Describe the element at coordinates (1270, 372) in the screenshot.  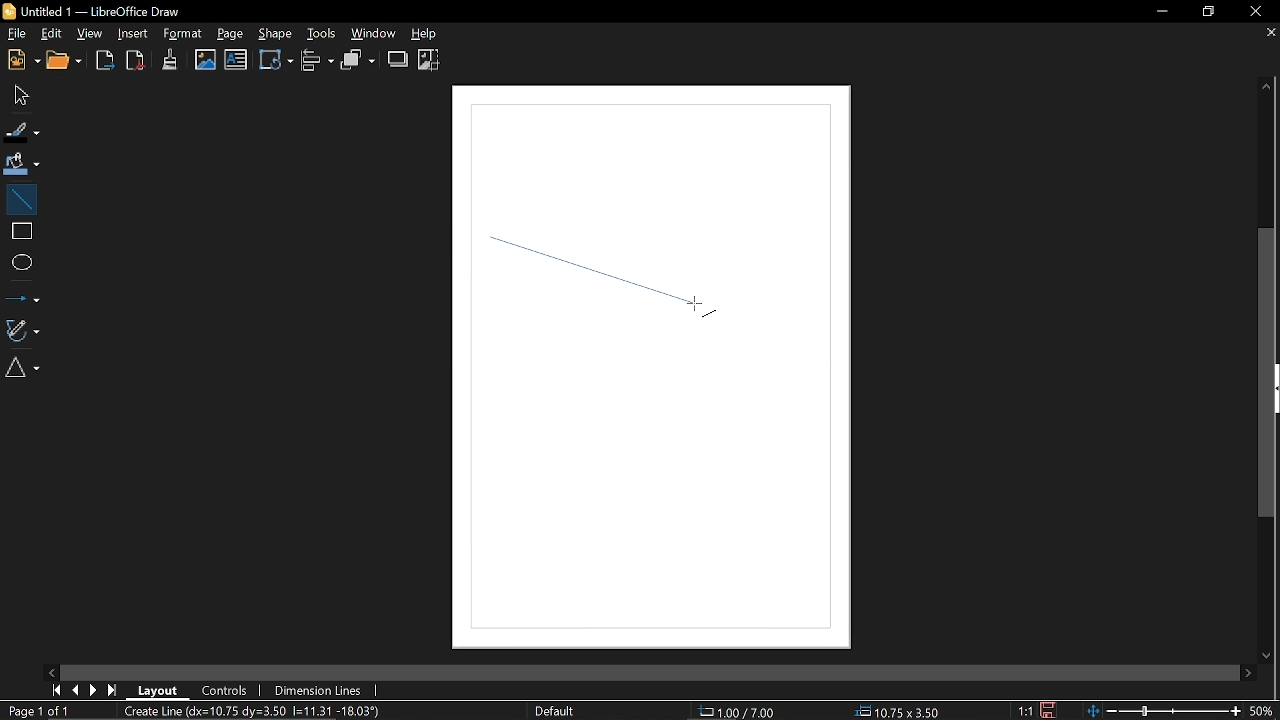
I see `Vertical scrollbar` at that location.